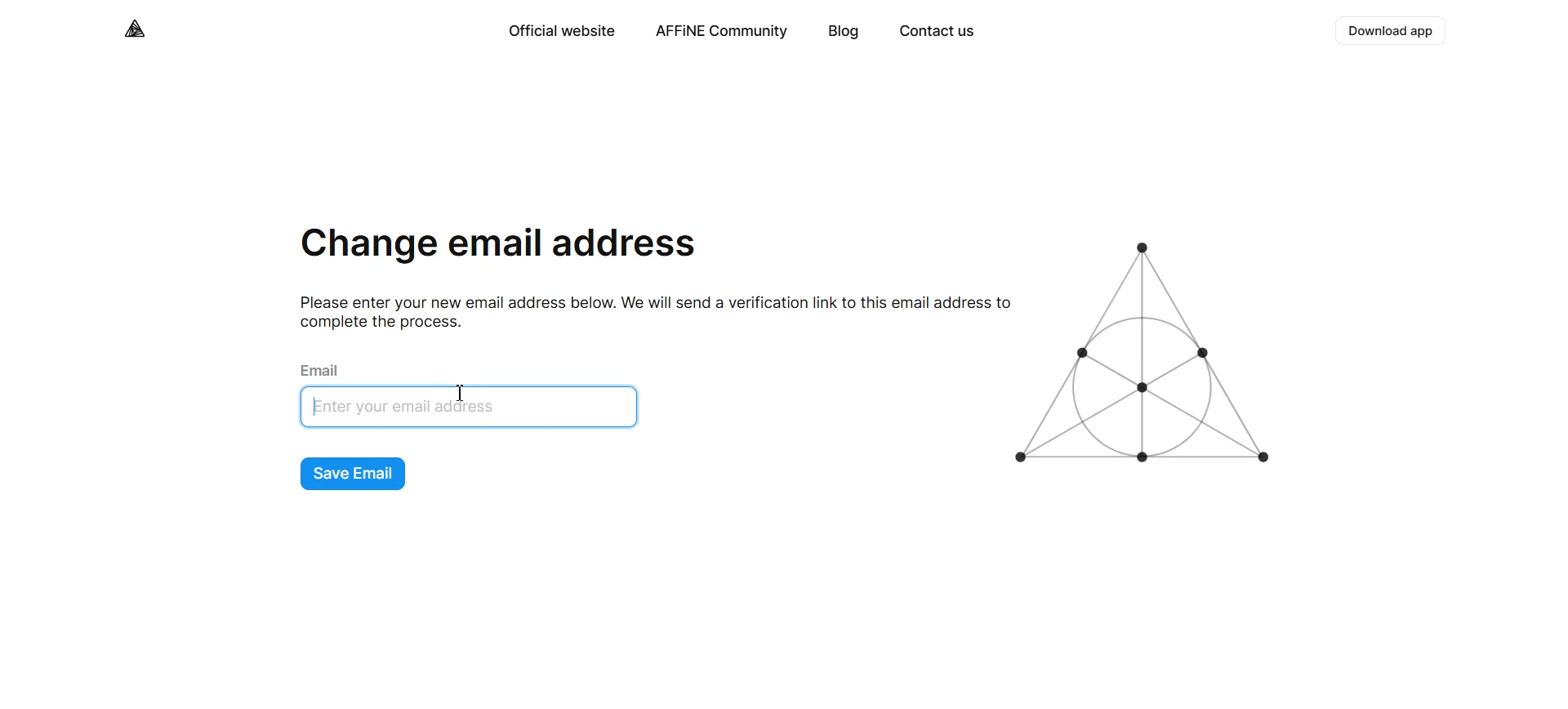 The image size is (1568, 709). Describe the element at coordinates (323, 368) in the screenshot. I see `email` at that location.